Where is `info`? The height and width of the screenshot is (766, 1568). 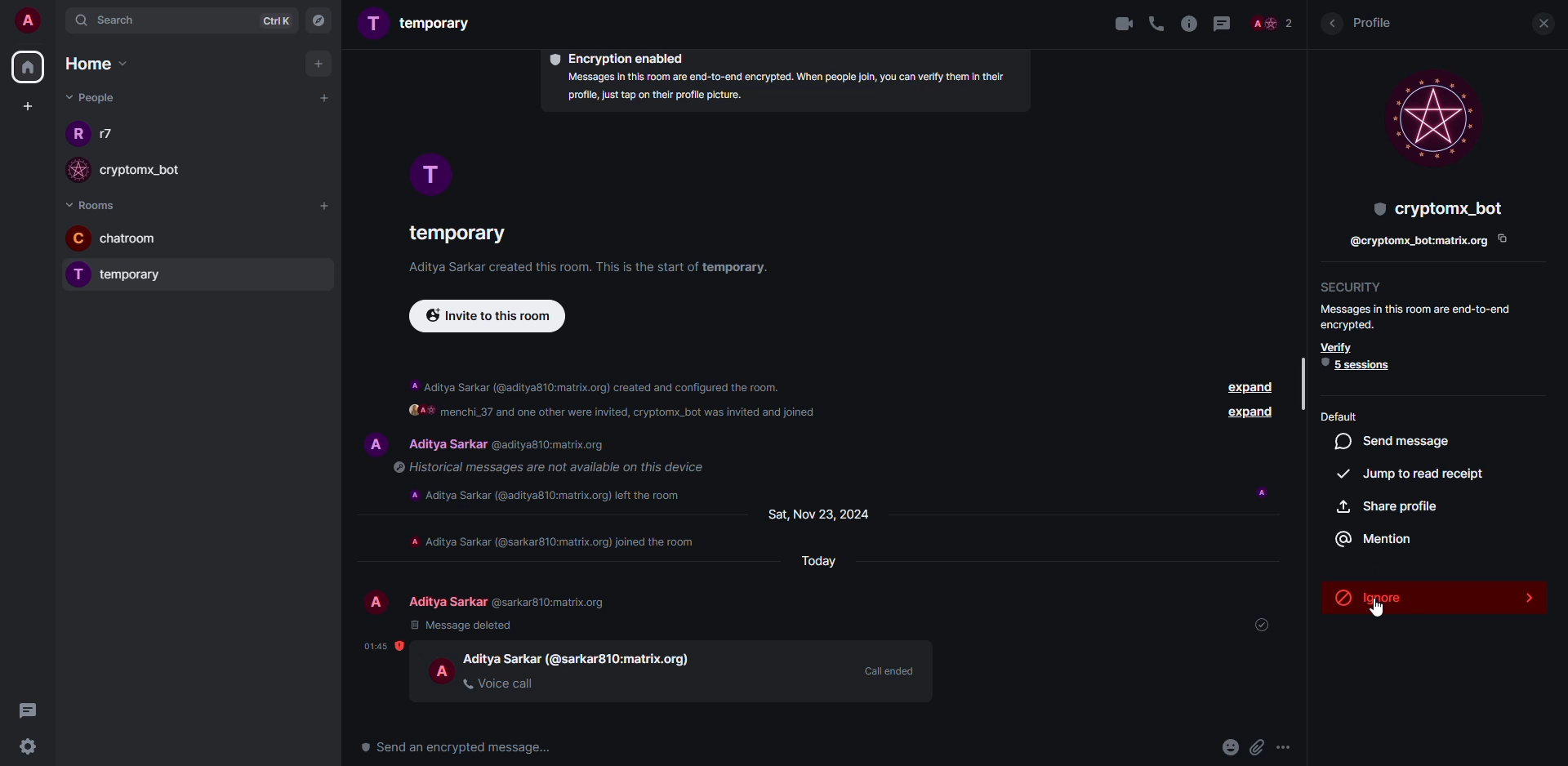
info is located at coordinates (544, 467).